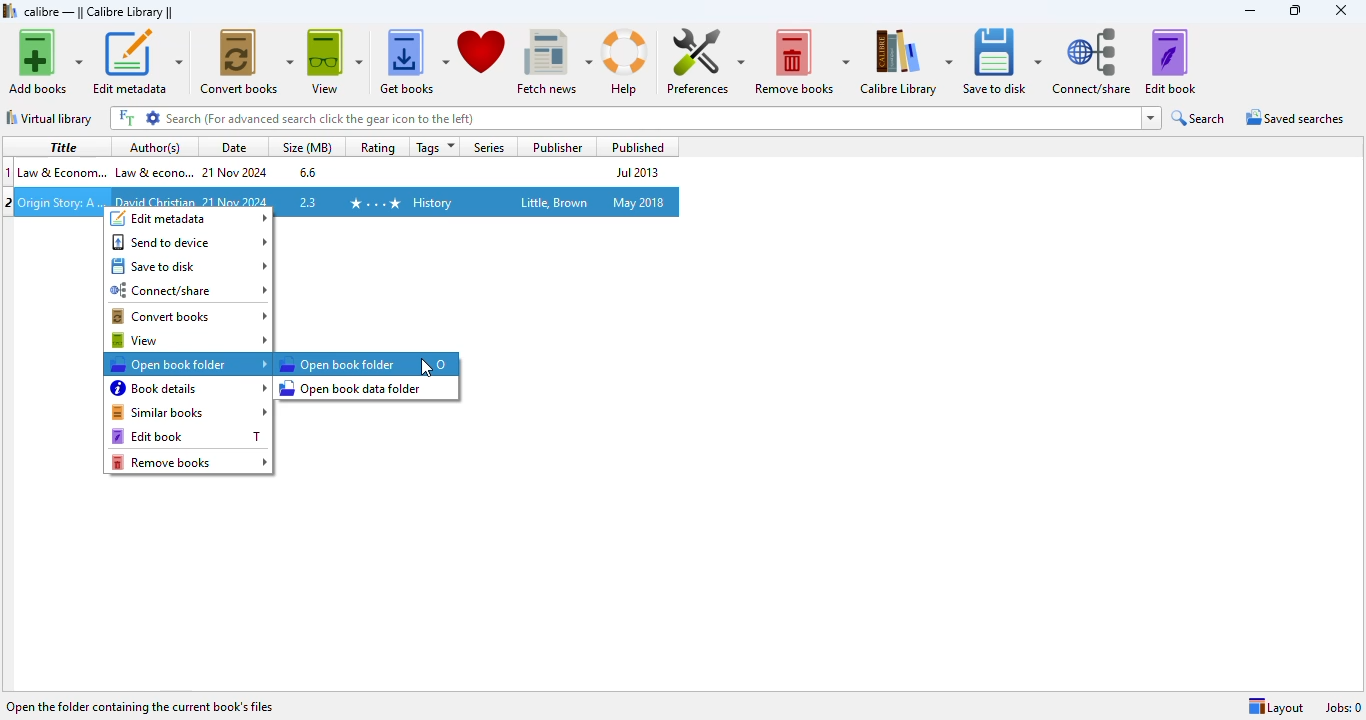 This screenshot has width=1366, height=720. Describe the element at coordinates (432, 203) in the screenshot. I see `history` at that location.